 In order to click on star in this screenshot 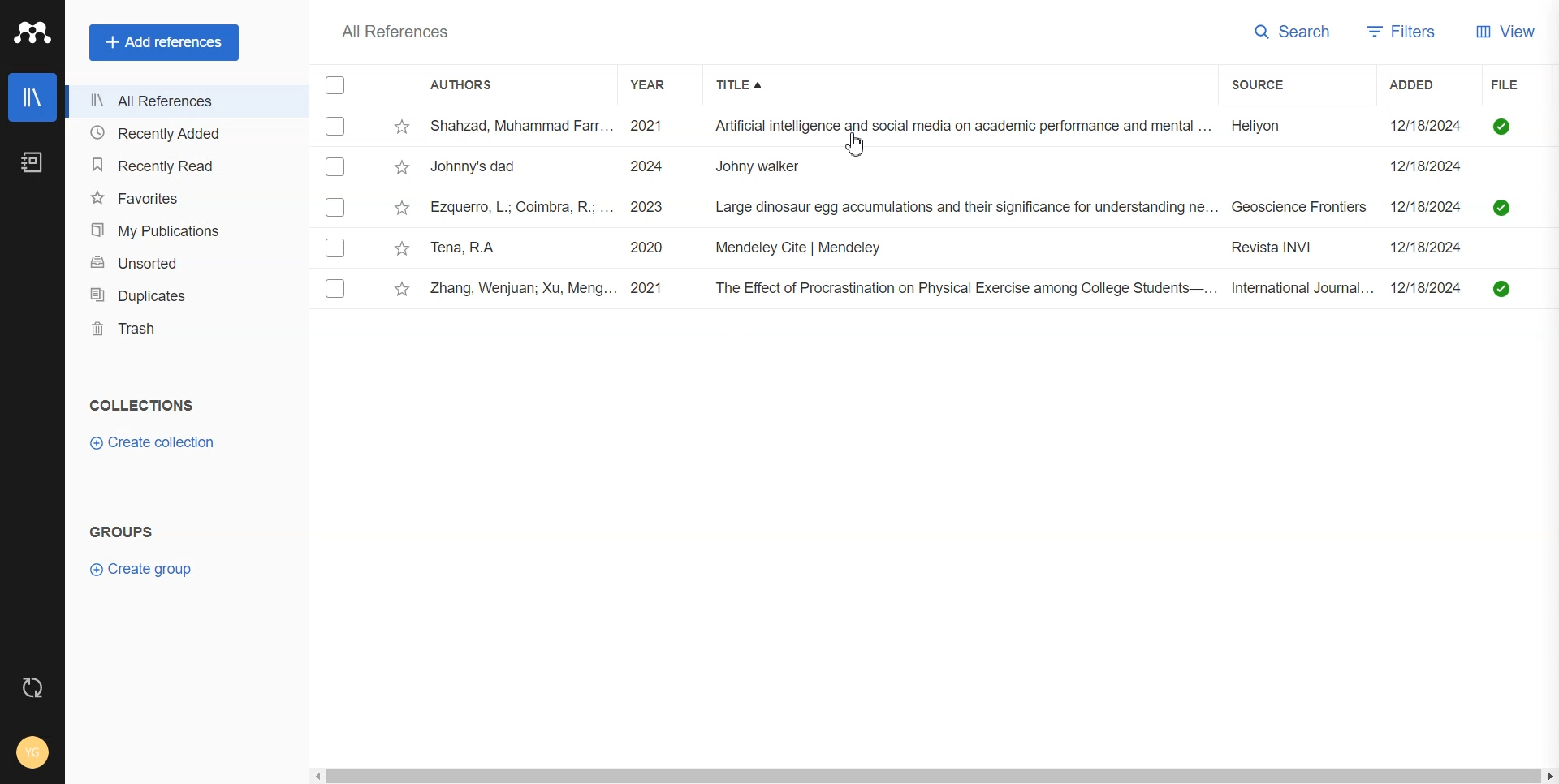, I will do `click(403, 207)`.